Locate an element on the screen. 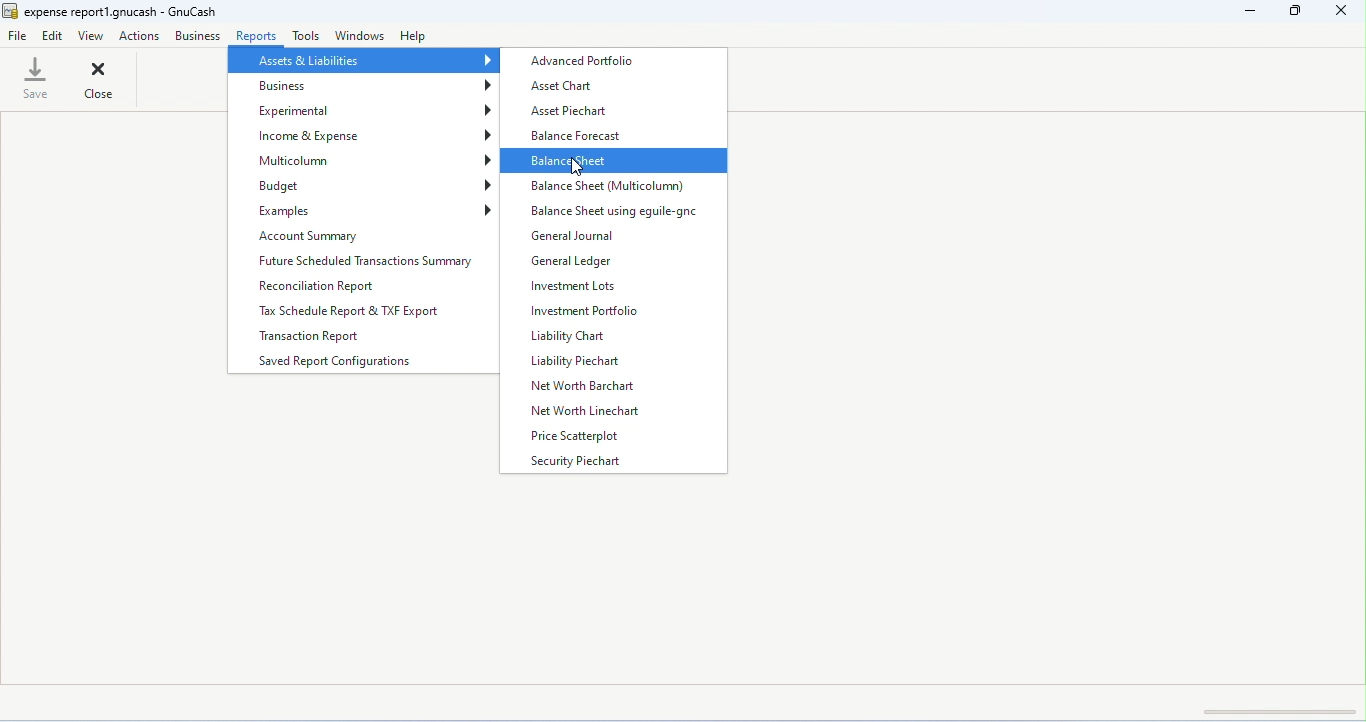 The height and width of the screenshot is (722, 1366). advanced portfolio is located at coordinates (589, 62).